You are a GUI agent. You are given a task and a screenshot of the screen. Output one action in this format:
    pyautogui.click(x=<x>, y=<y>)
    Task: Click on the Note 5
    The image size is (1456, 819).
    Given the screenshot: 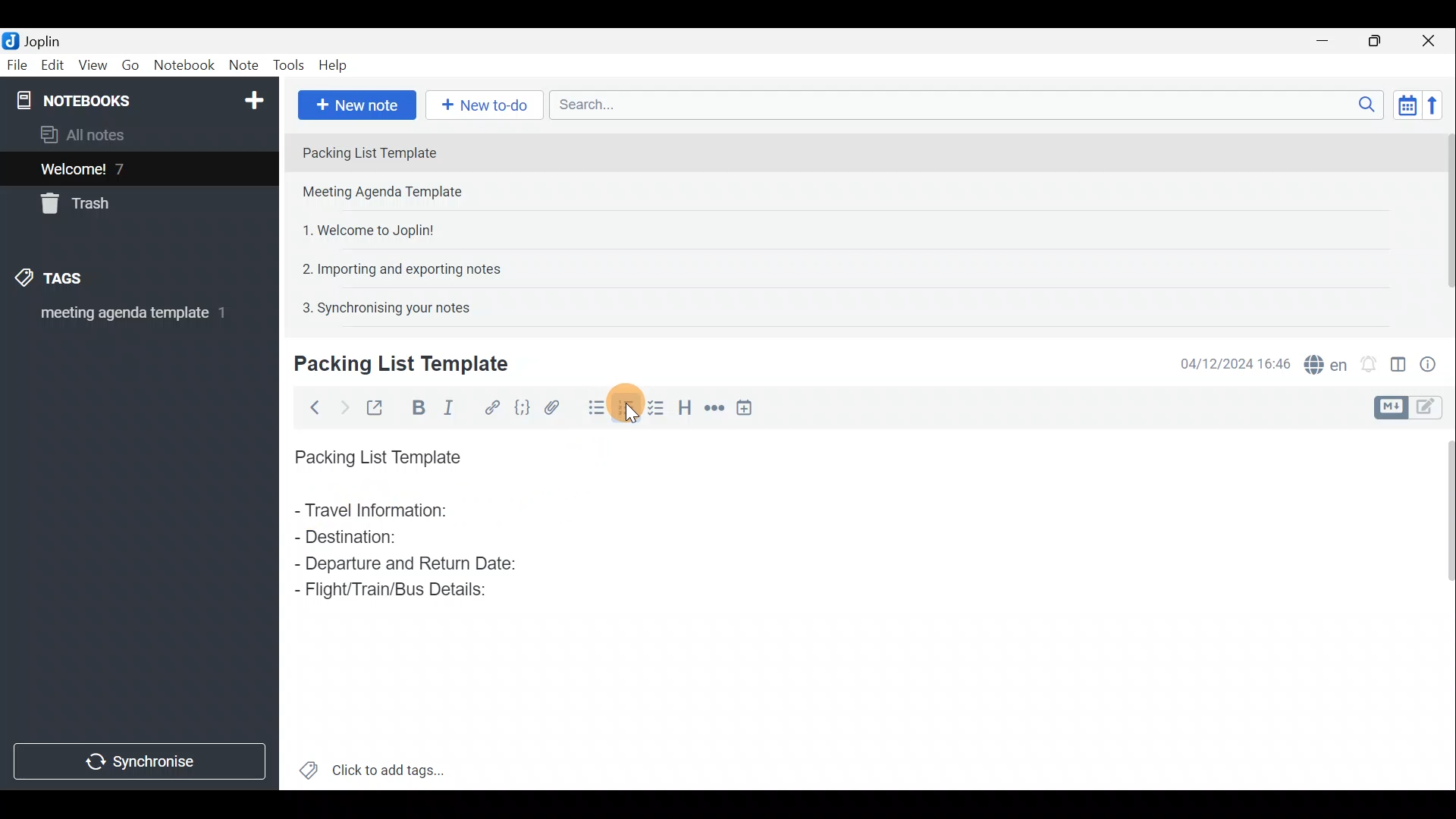 What is the action you would take?
    pyautogui.click(x=380, y=306)
    